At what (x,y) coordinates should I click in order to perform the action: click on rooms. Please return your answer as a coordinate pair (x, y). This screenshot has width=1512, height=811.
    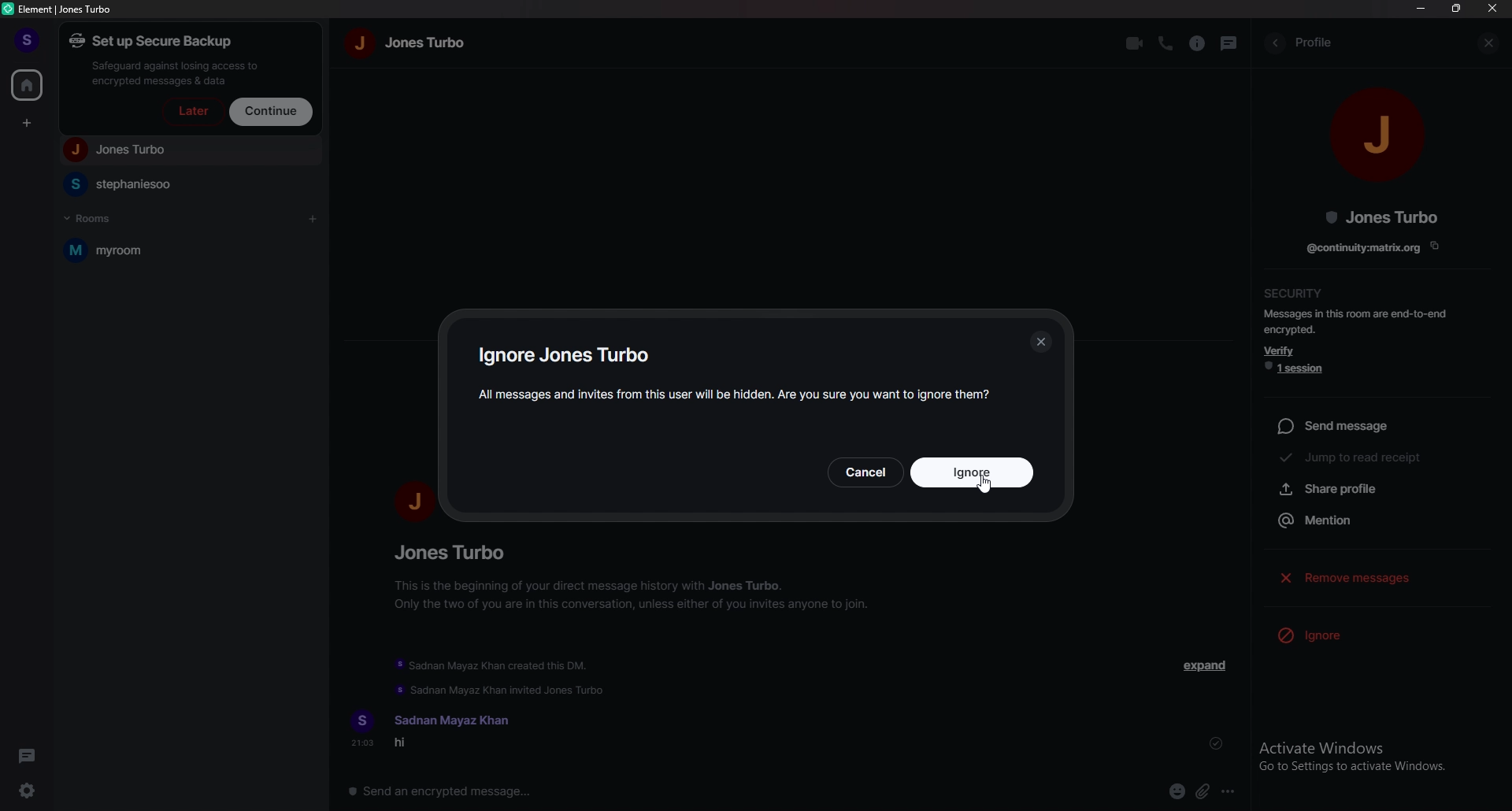
    Looking at the image, I should click on (95, 217).